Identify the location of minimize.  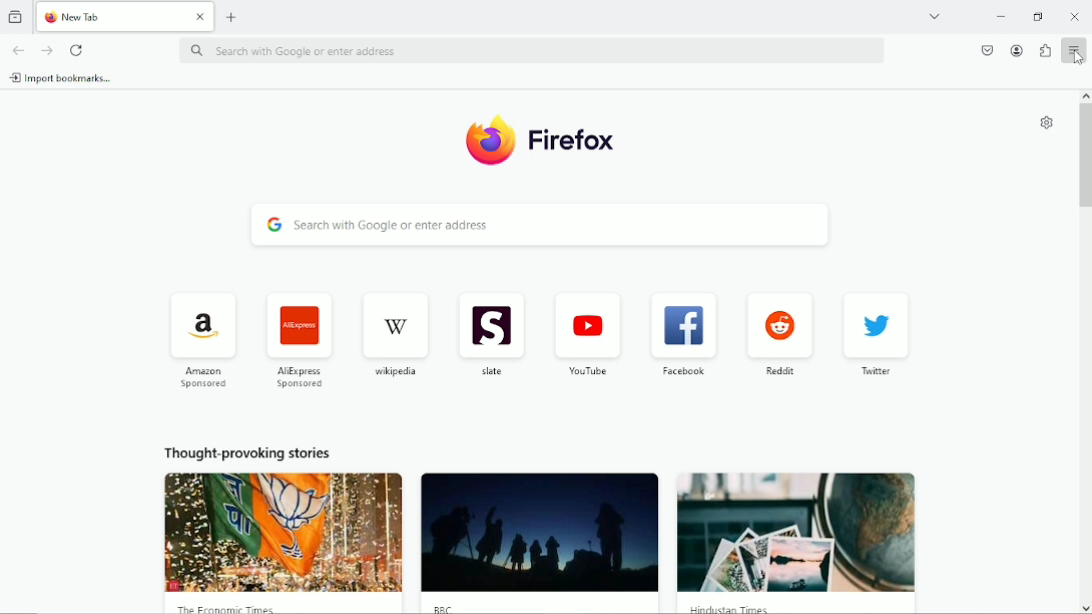
(1002, 15).